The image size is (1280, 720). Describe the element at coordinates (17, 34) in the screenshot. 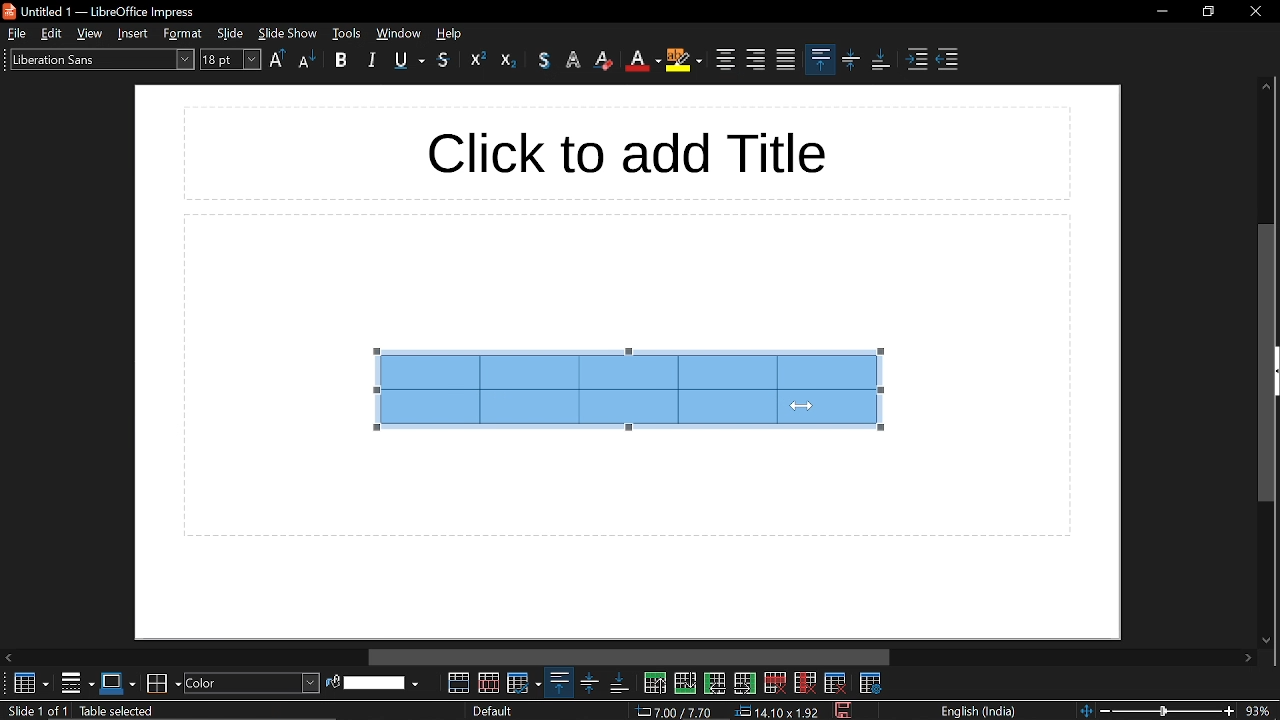

I see `file` at that location.